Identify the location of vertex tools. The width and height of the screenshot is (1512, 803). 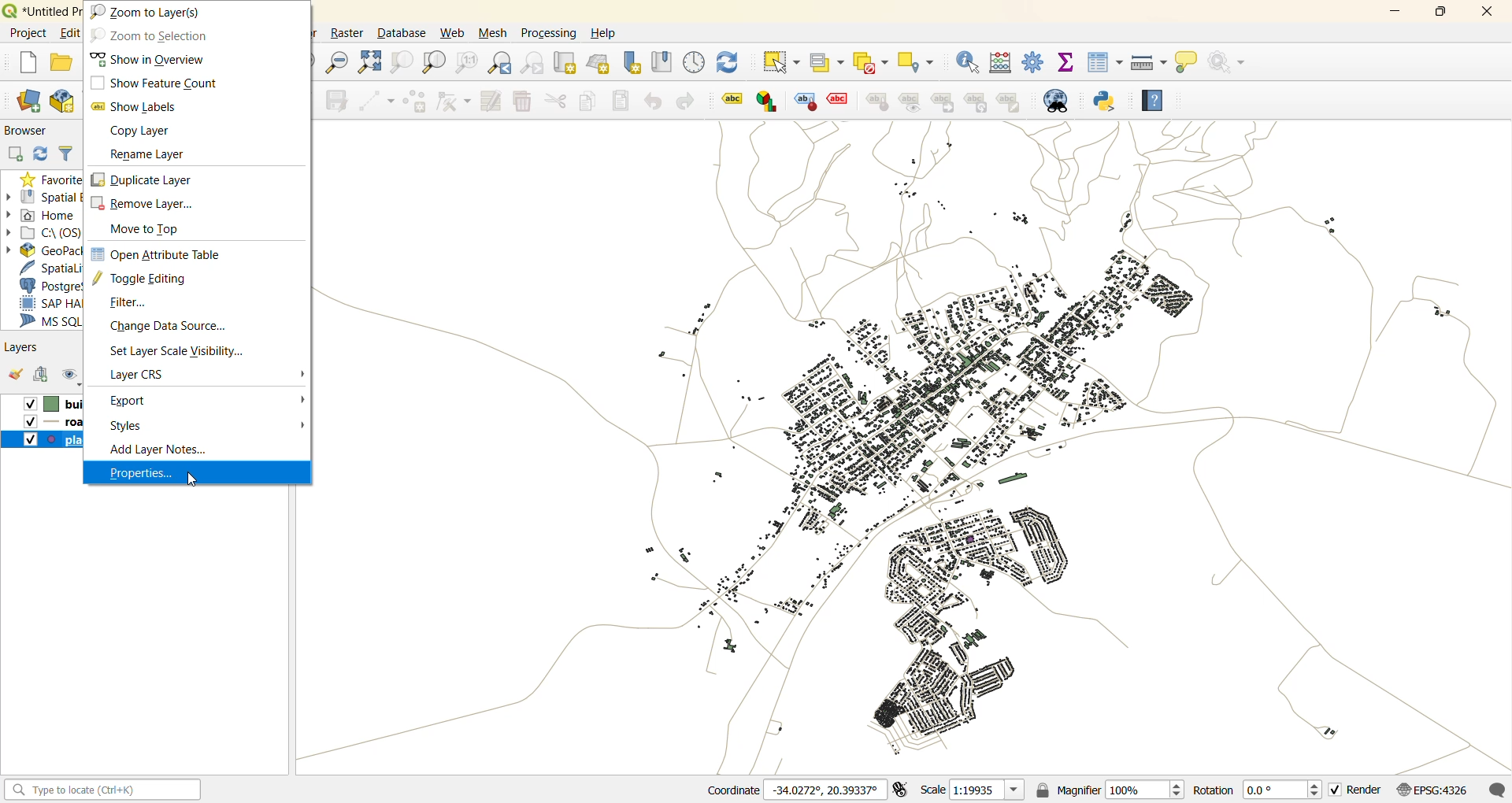
(454, 104).